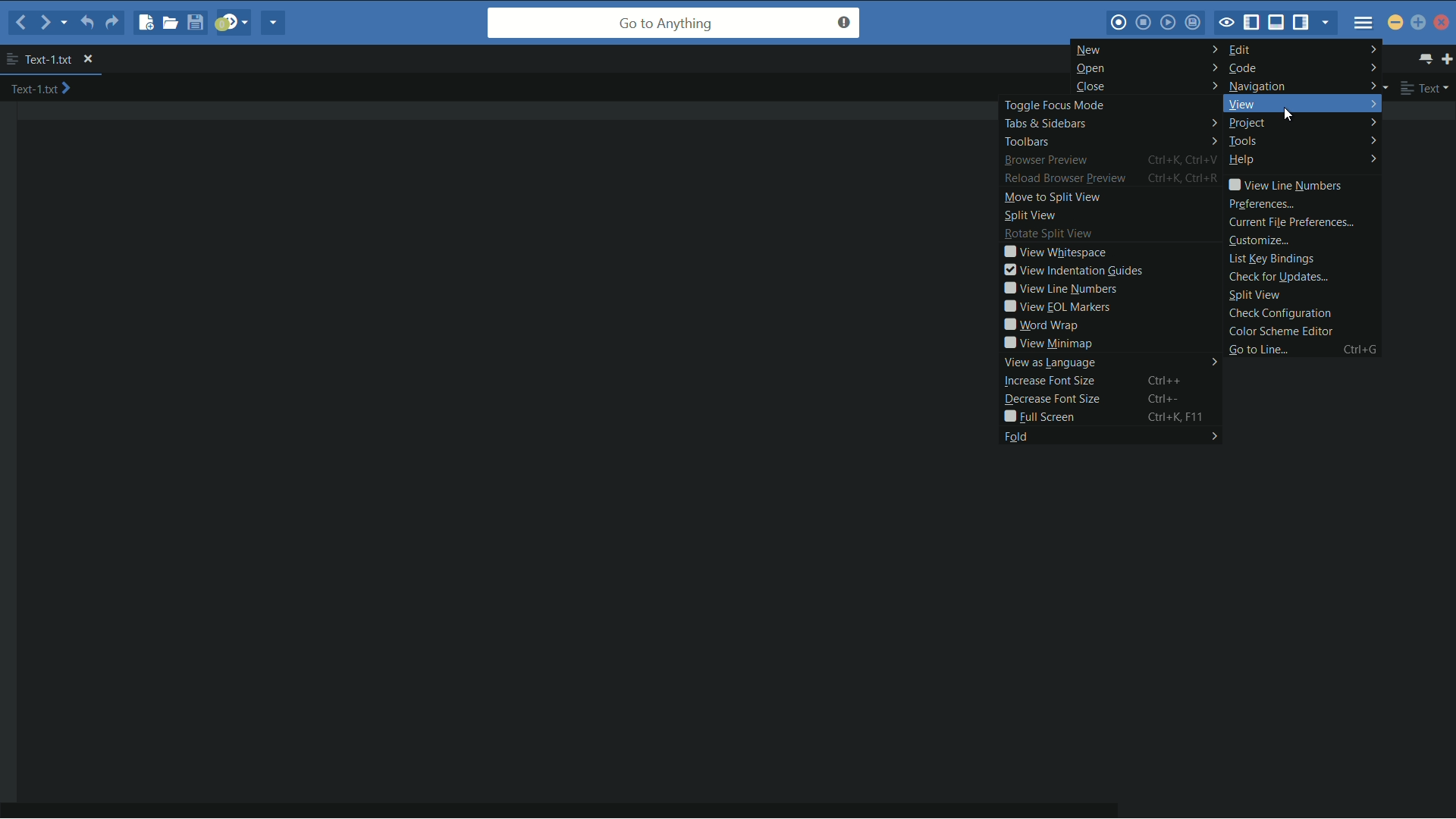 The width and height of the screenshot is (1456, 819). Describe the element at coordinates (1102, 105) in the screenshot. I see `toggle focus mode` at that location.